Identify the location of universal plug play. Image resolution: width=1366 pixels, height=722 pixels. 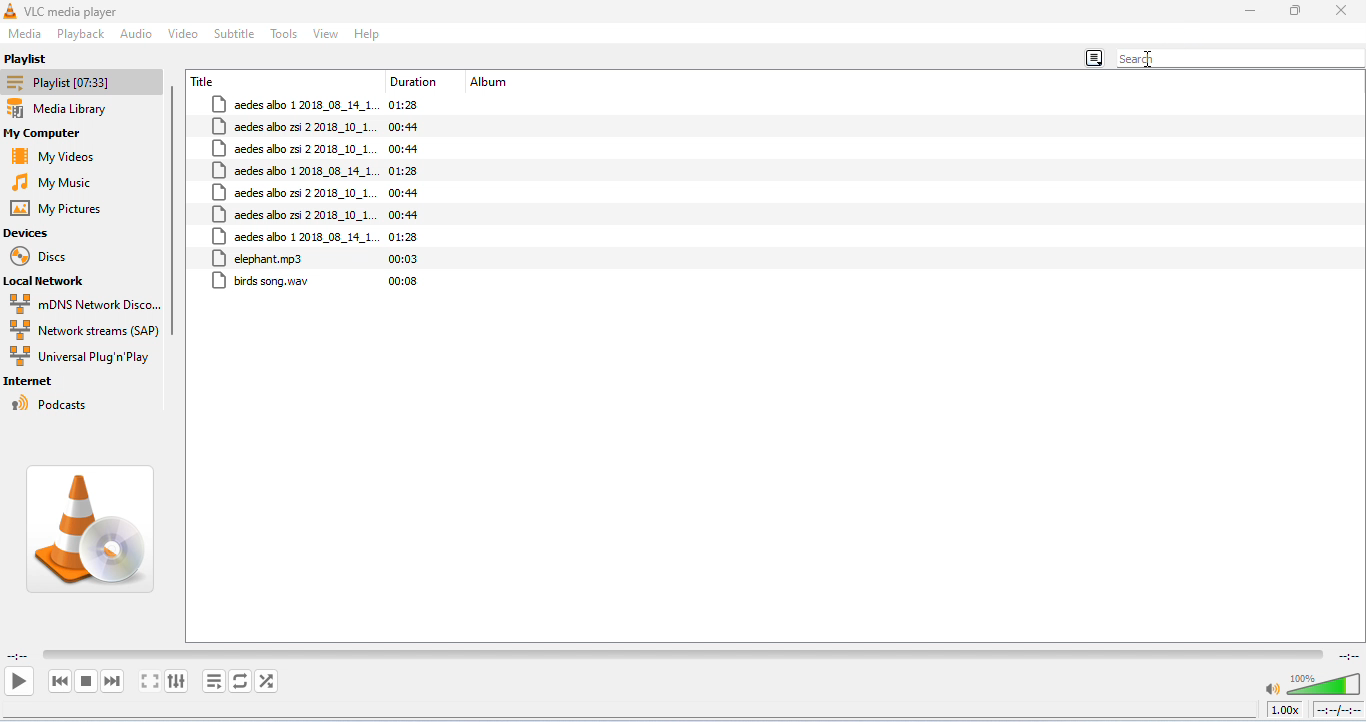
(81, 358).